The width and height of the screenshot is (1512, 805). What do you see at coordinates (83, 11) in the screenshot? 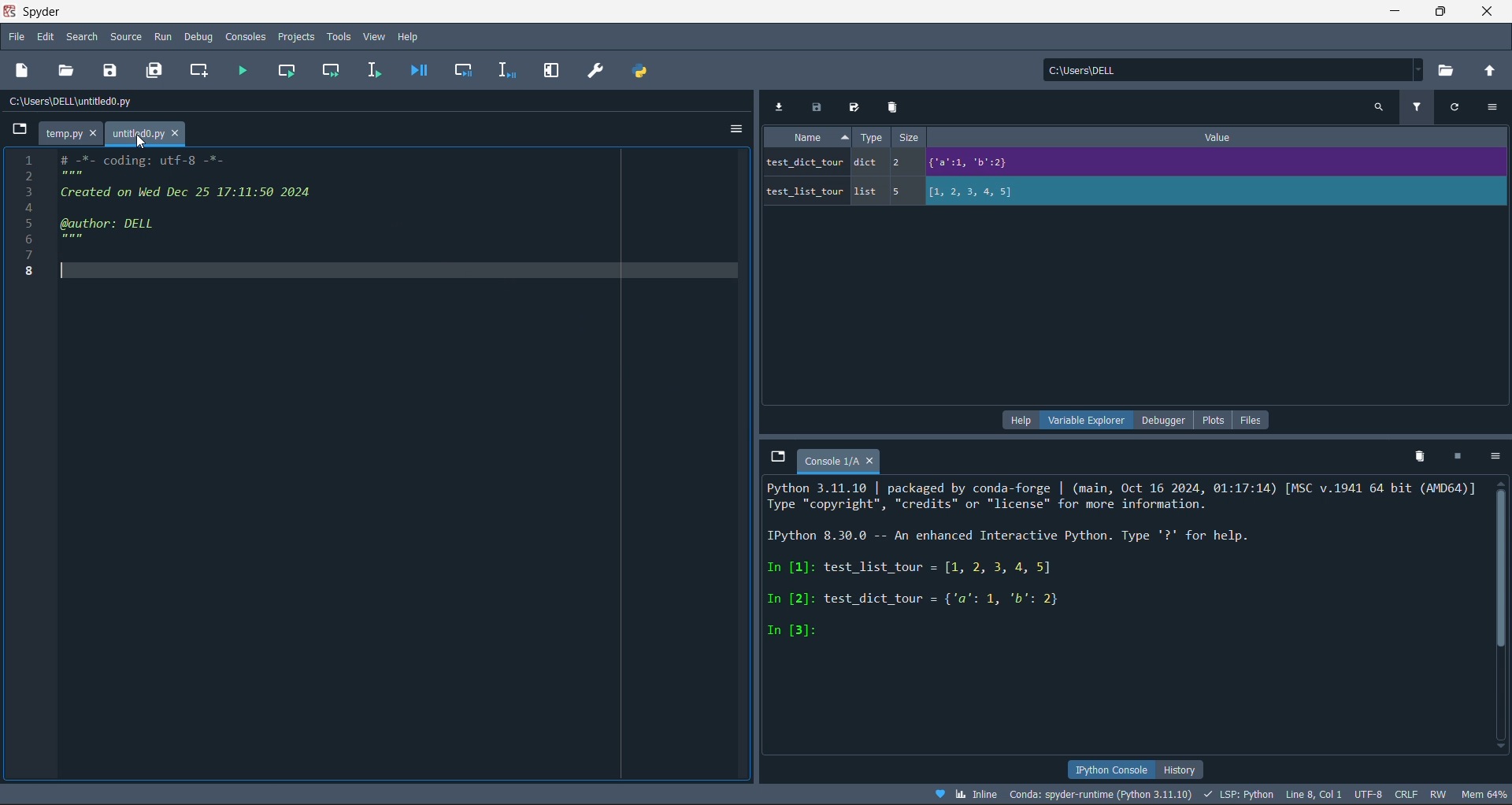
I see `Spyder` at bounding box center [83, 11].